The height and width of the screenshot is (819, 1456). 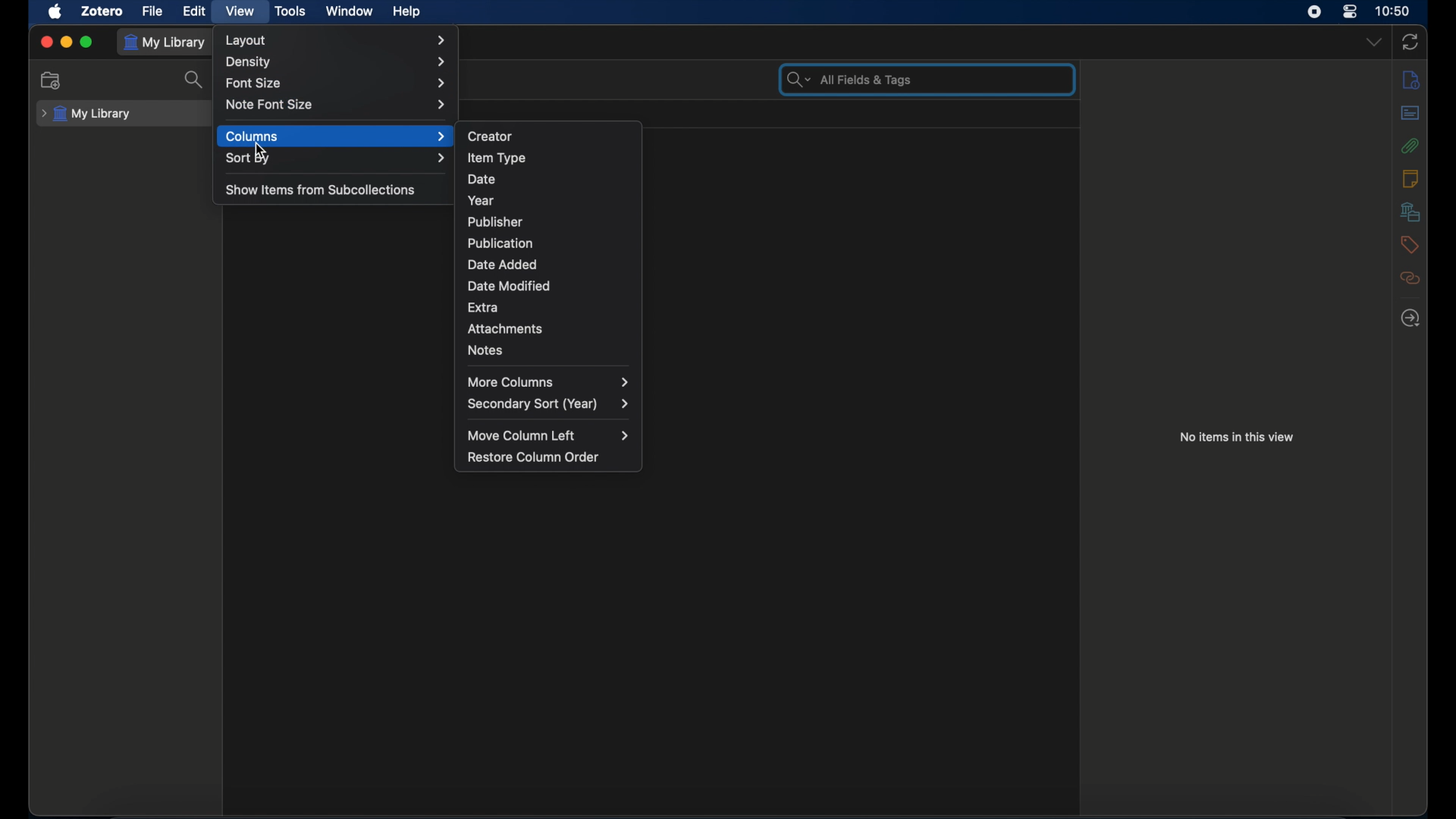 I want to click on publication, so click(x=500, y=243).